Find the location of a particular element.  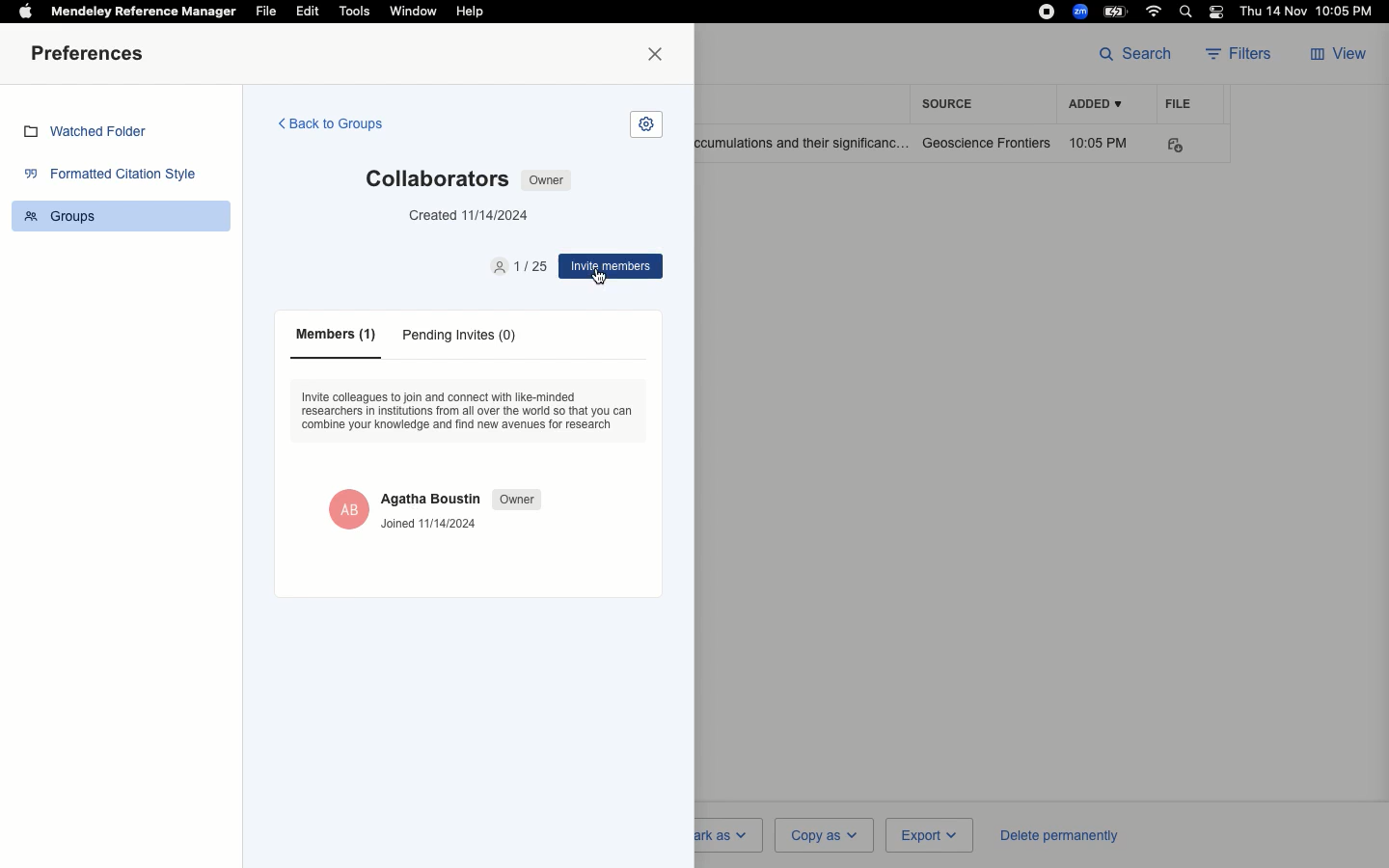

Close is located at coordinates (660, 55).